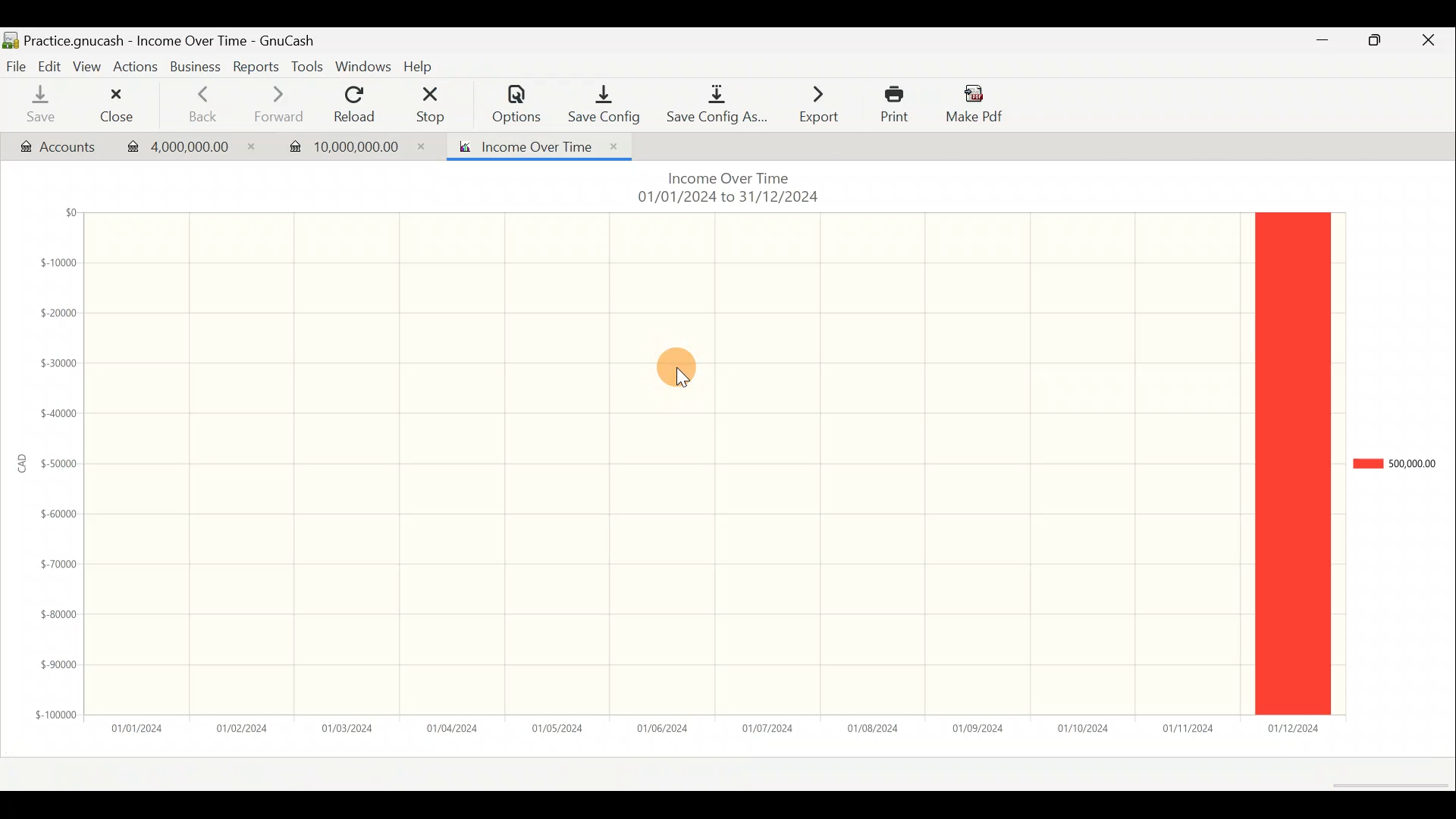 The image size is (1456, 819). Describe the element at coordinates (58, 413) in the screenshot. I see `$-40000` at that location.